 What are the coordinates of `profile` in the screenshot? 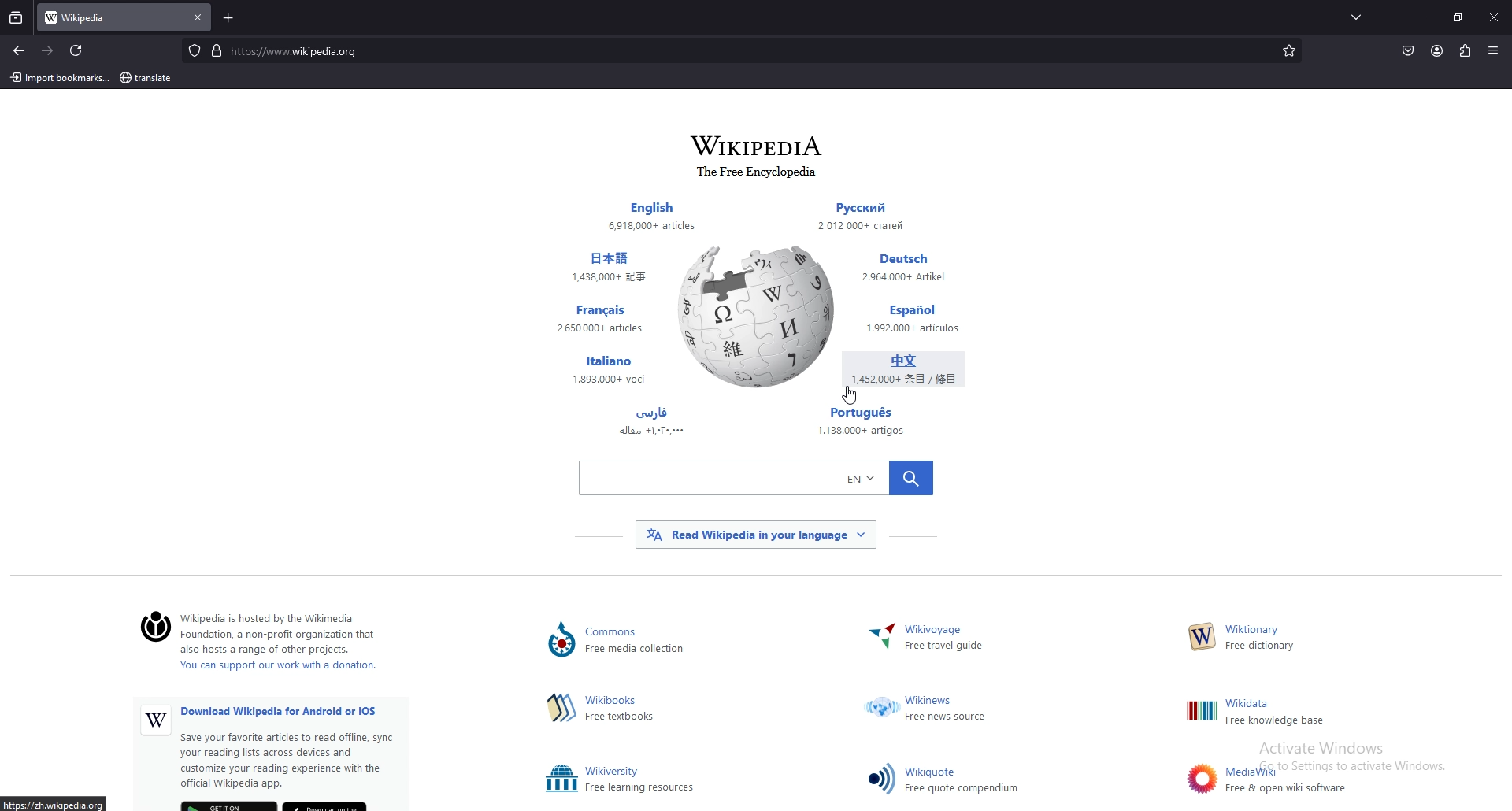 It's located at (1437, 51).